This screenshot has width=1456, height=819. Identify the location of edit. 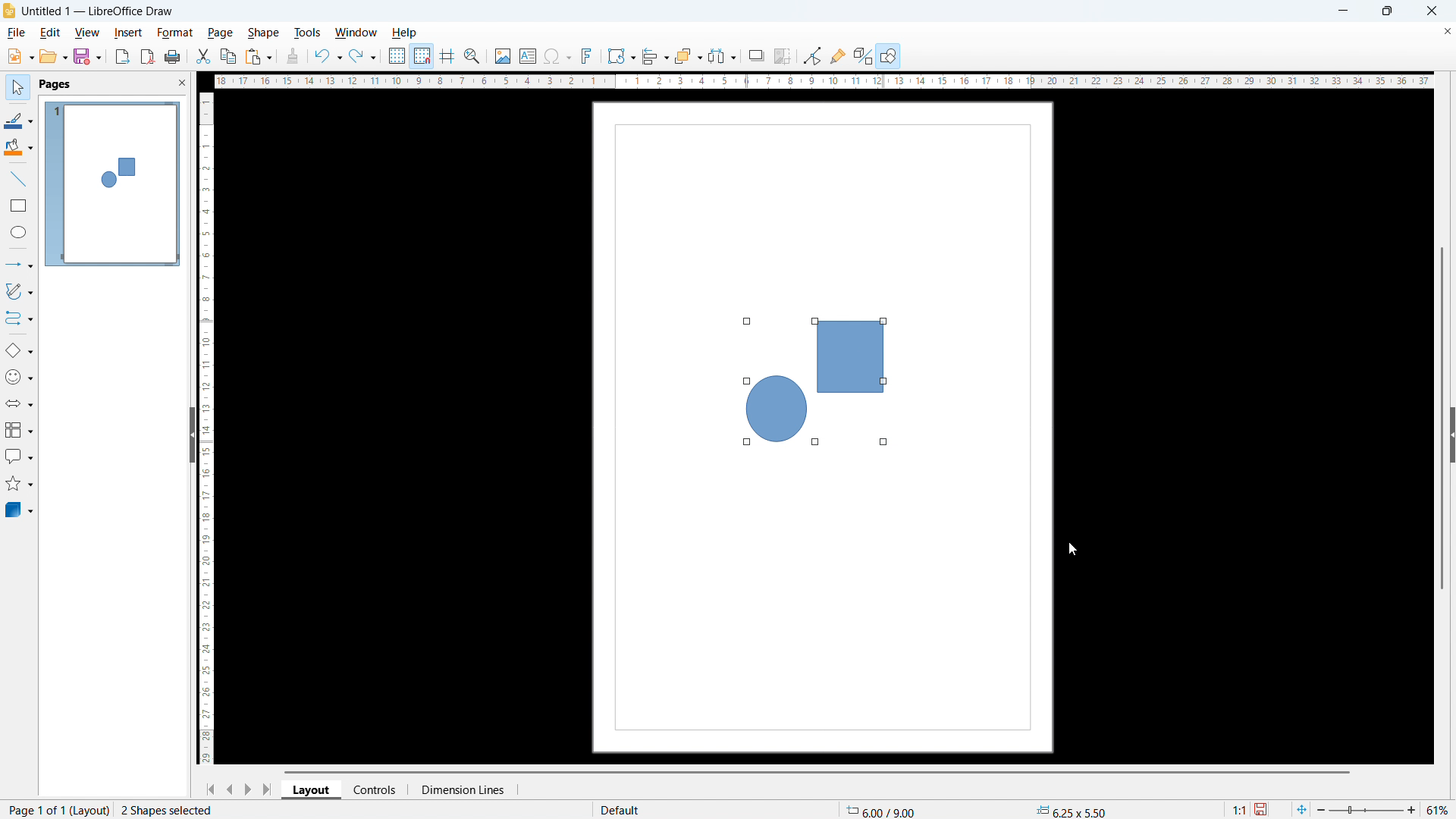
(52, 33).